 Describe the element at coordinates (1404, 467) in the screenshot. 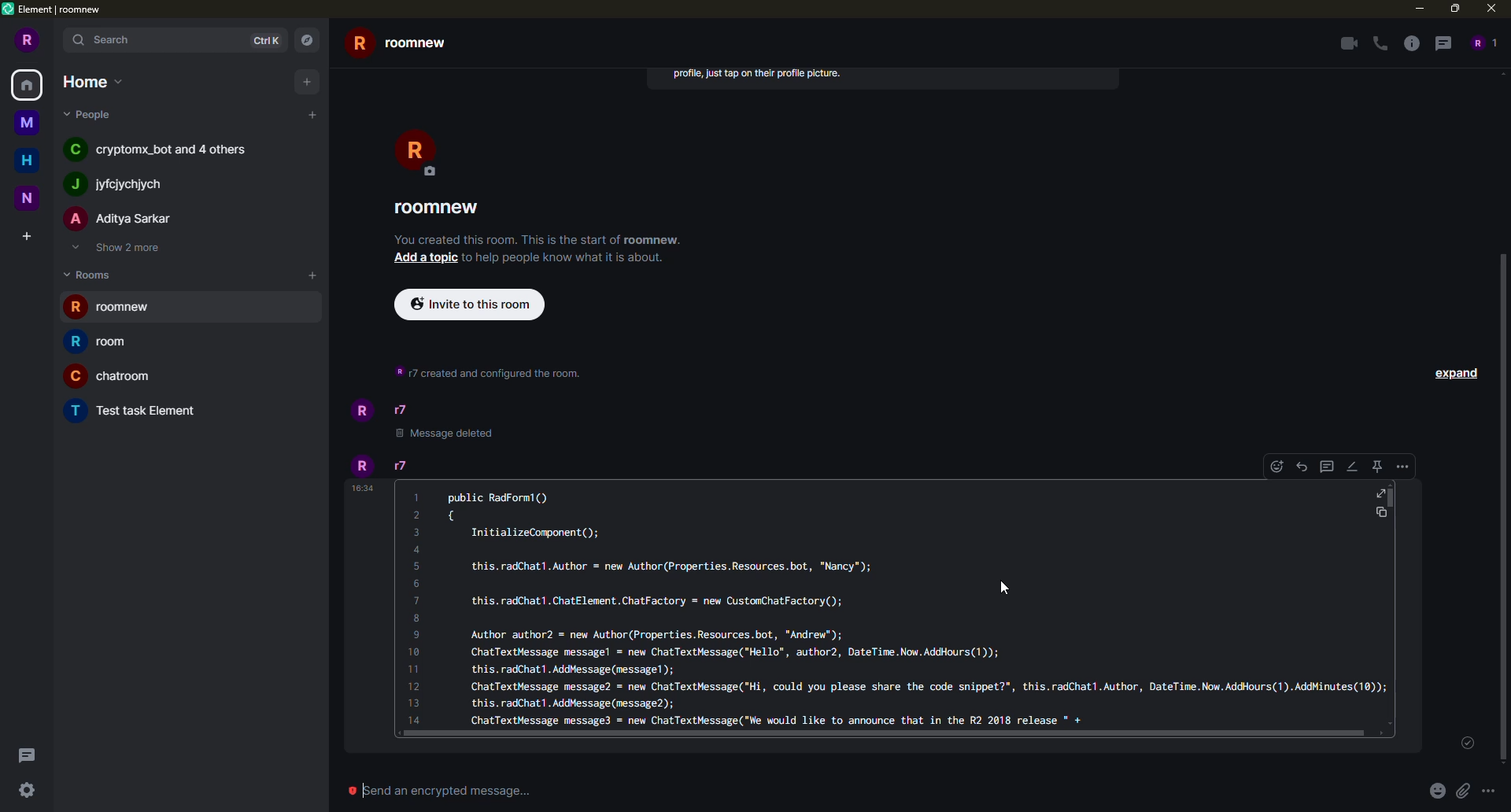

I see `more` at that location.